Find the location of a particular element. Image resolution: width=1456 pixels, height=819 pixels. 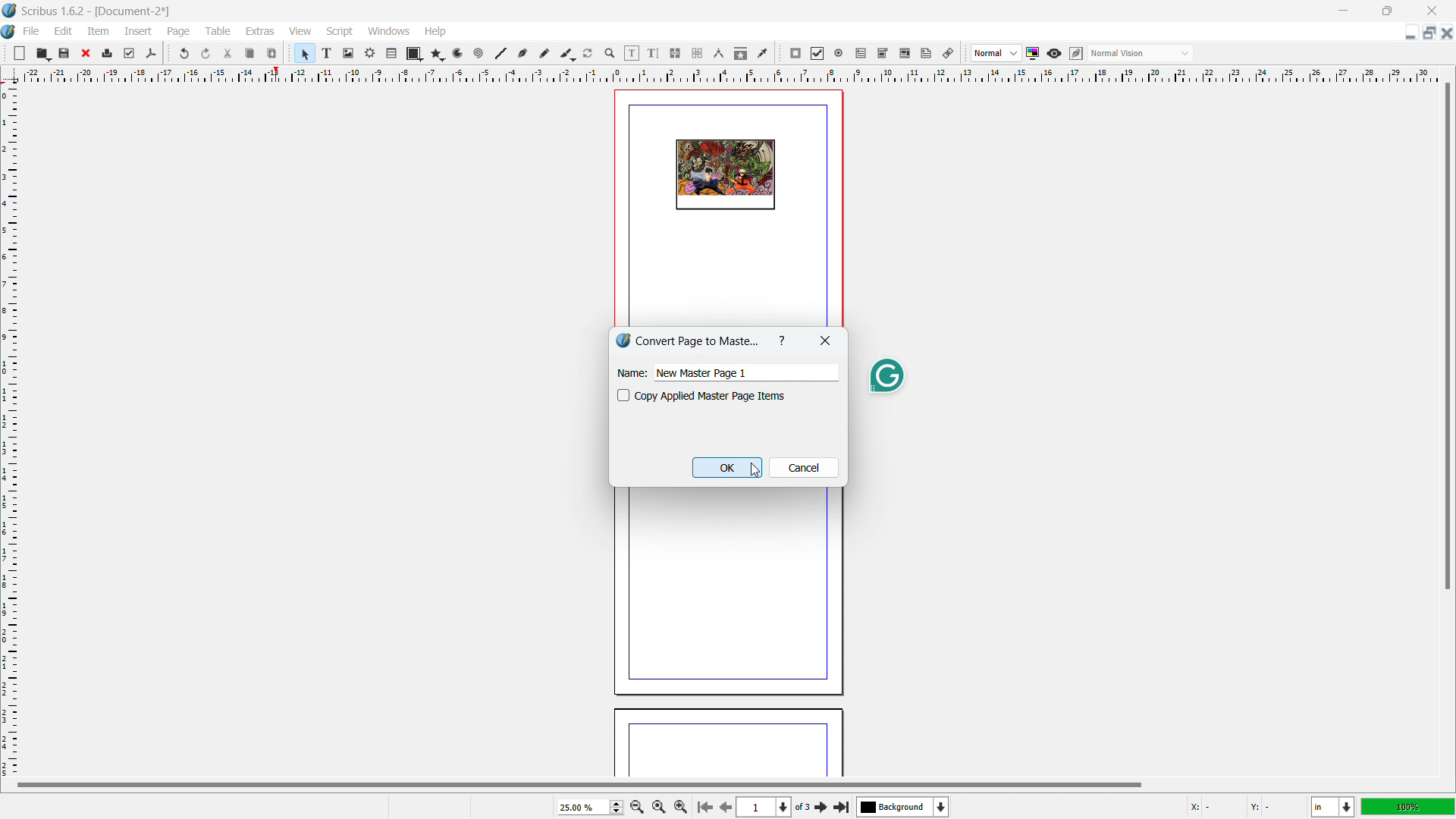

select item is located at coordinates (305, 54).